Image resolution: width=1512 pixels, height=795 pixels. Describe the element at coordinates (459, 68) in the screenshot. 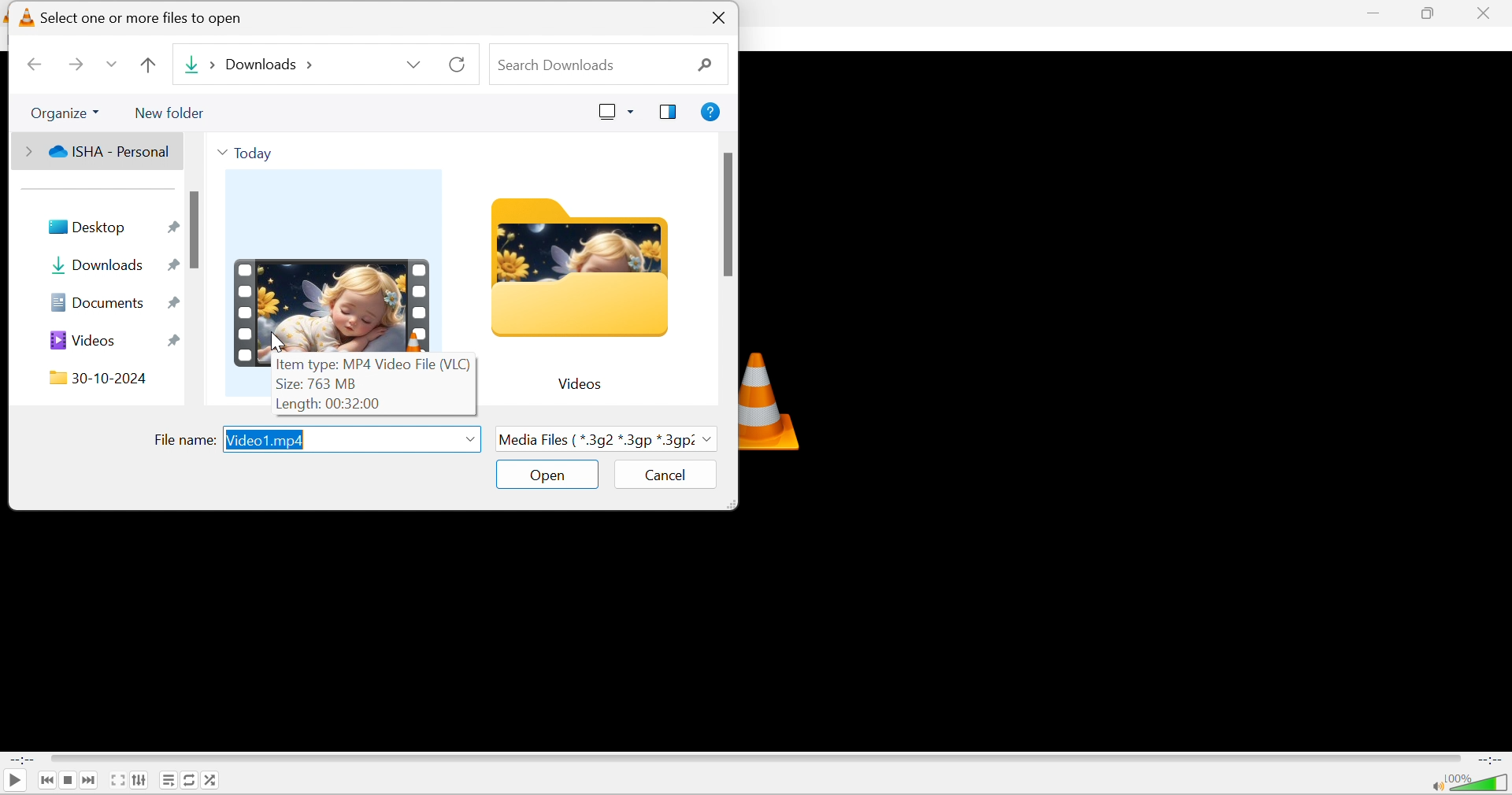

I see `Refresh` at that location.